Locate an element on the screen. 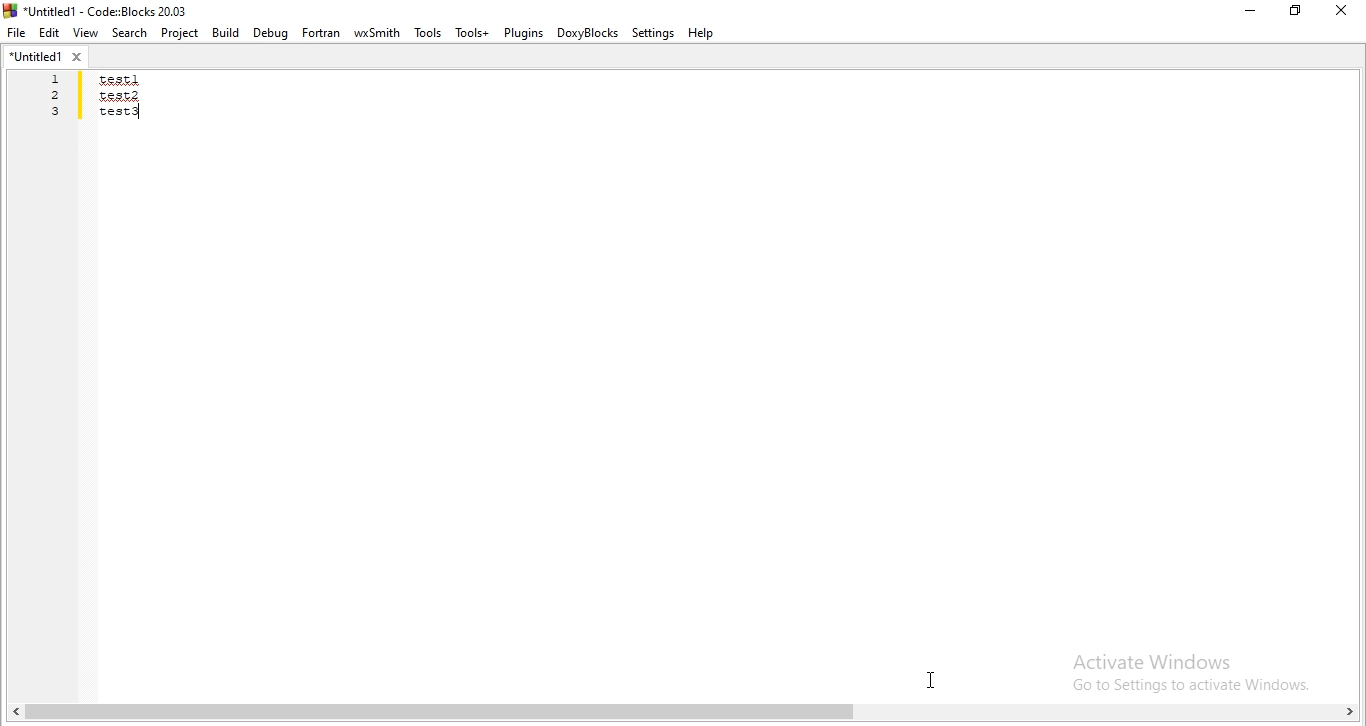  Fortran is located at coordinates (322, 33).